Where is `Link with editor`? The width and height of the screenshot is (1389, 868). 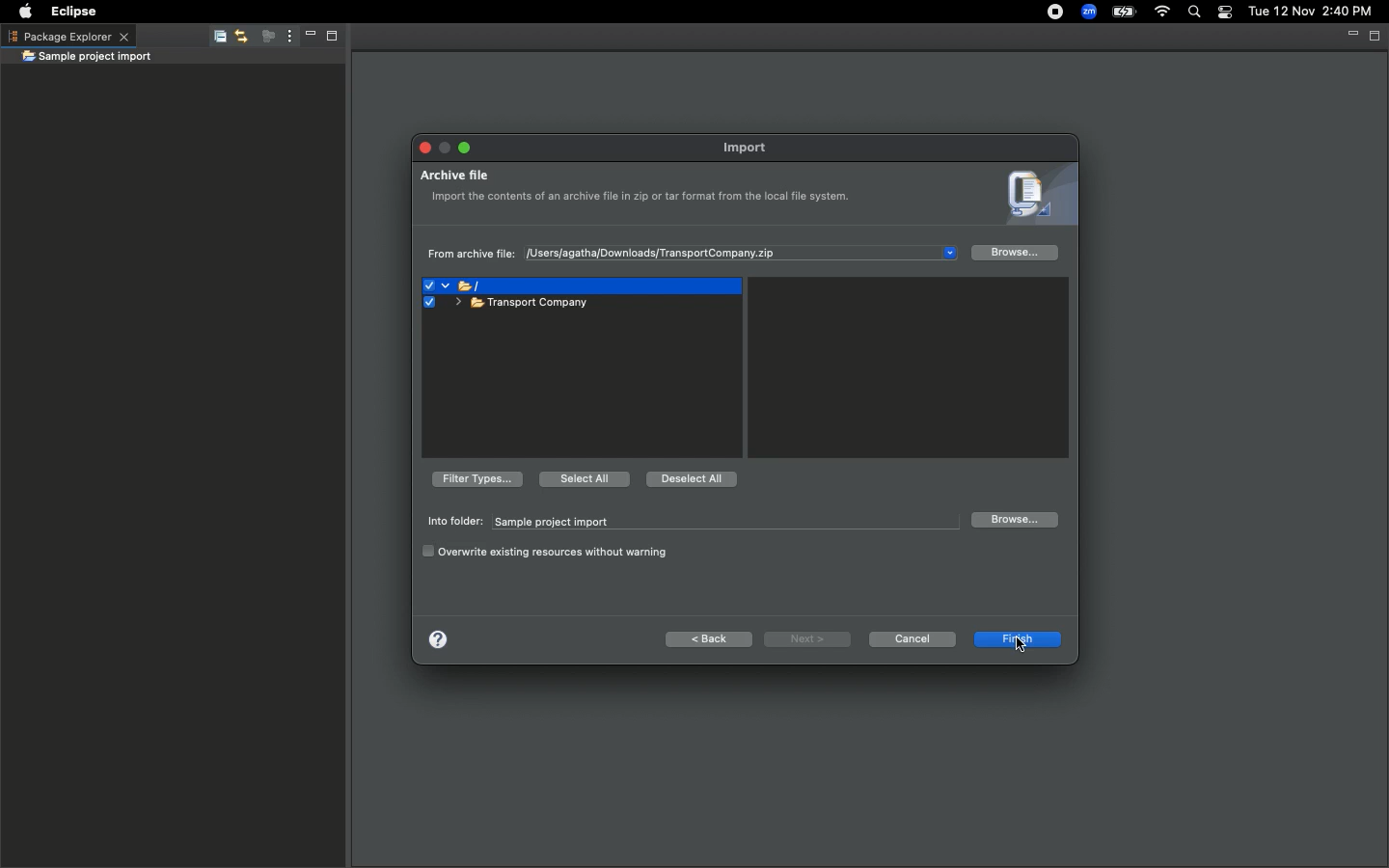
Link with editor is located at coordinates (240, 38).